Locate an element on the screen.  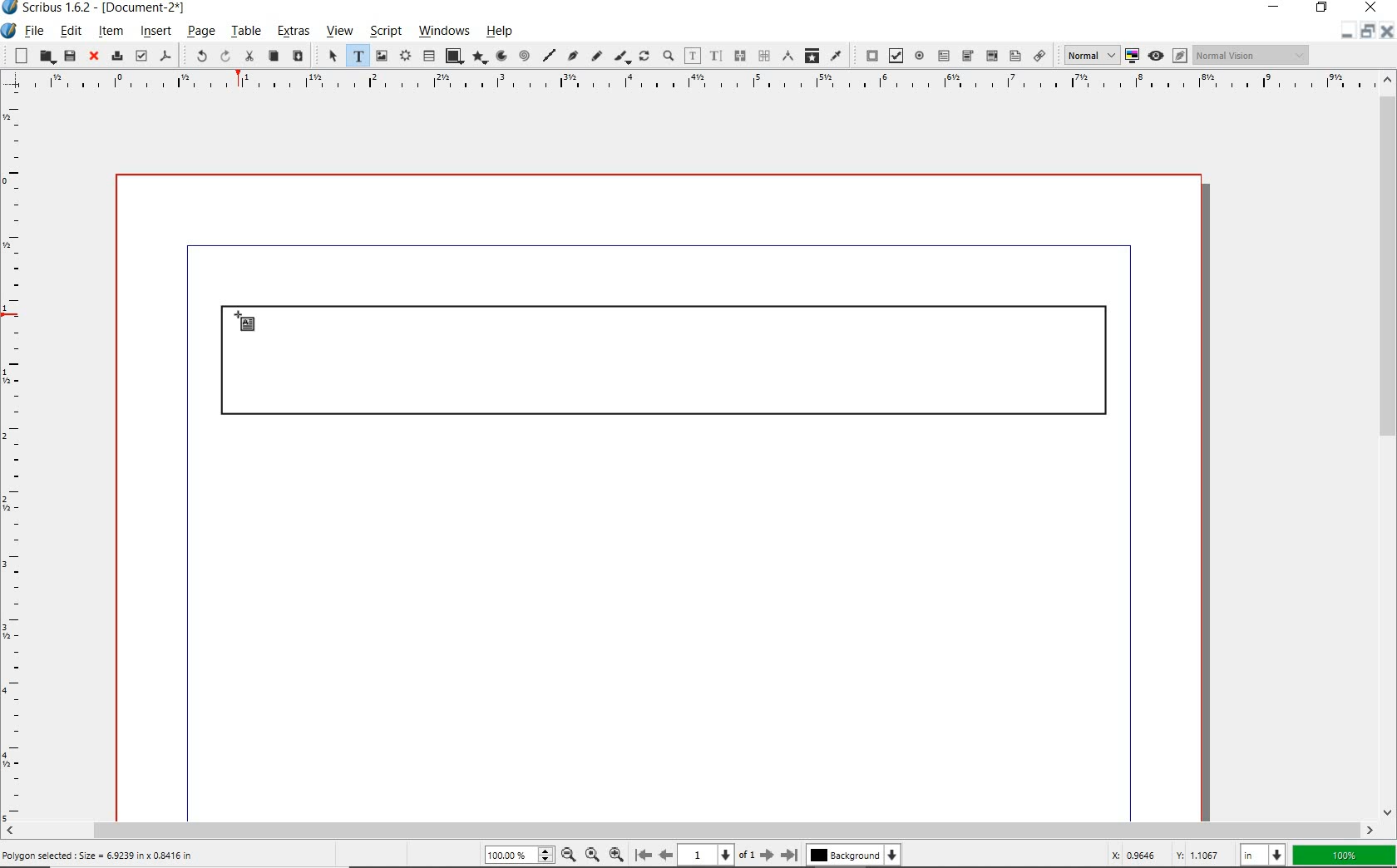
zoom in or zoom out is located at coordinates (668, 56).